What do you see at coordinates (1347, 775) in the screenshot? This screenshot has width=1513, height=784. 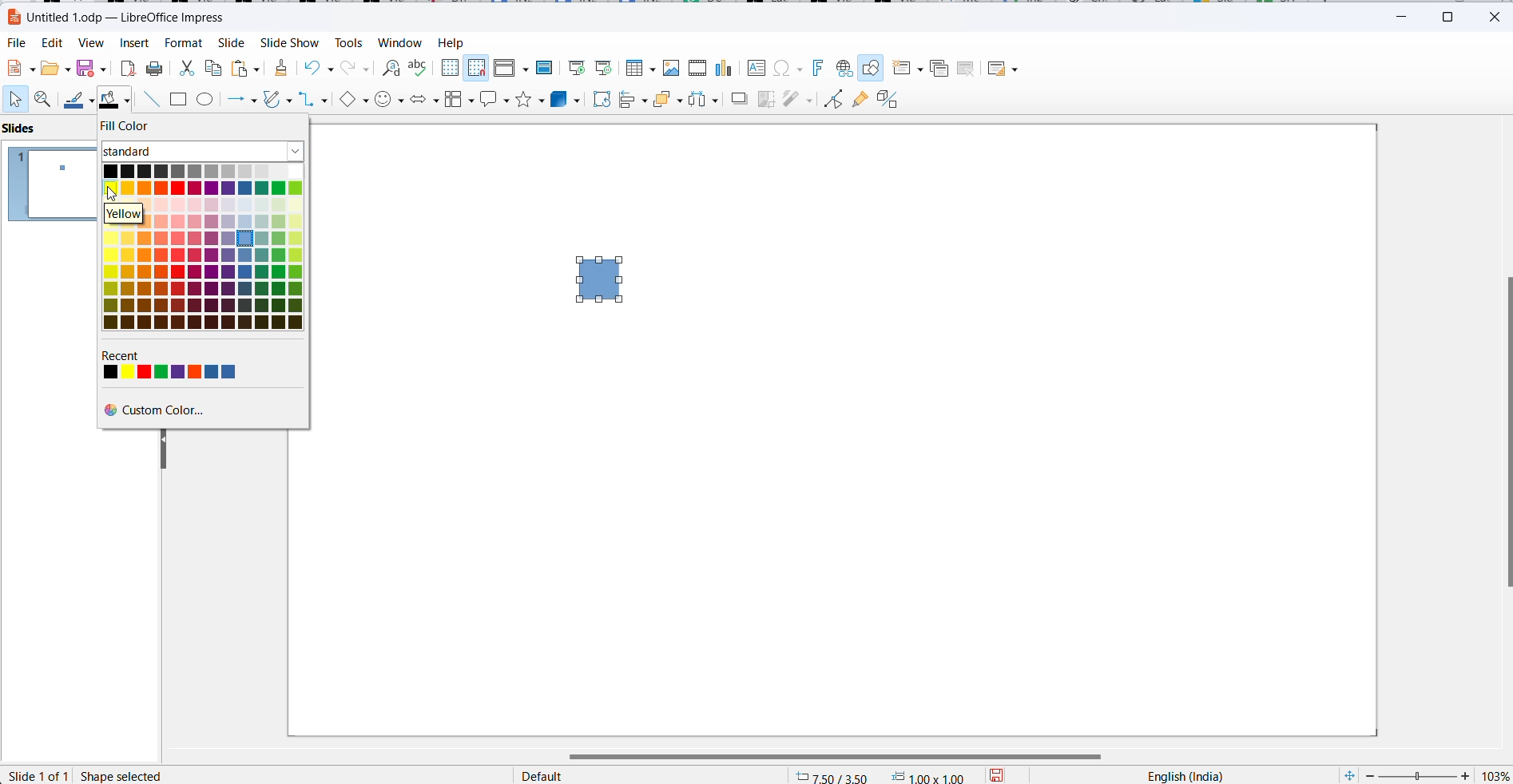 I see `fit slide to current windows` at bounding box center [1347, 775].